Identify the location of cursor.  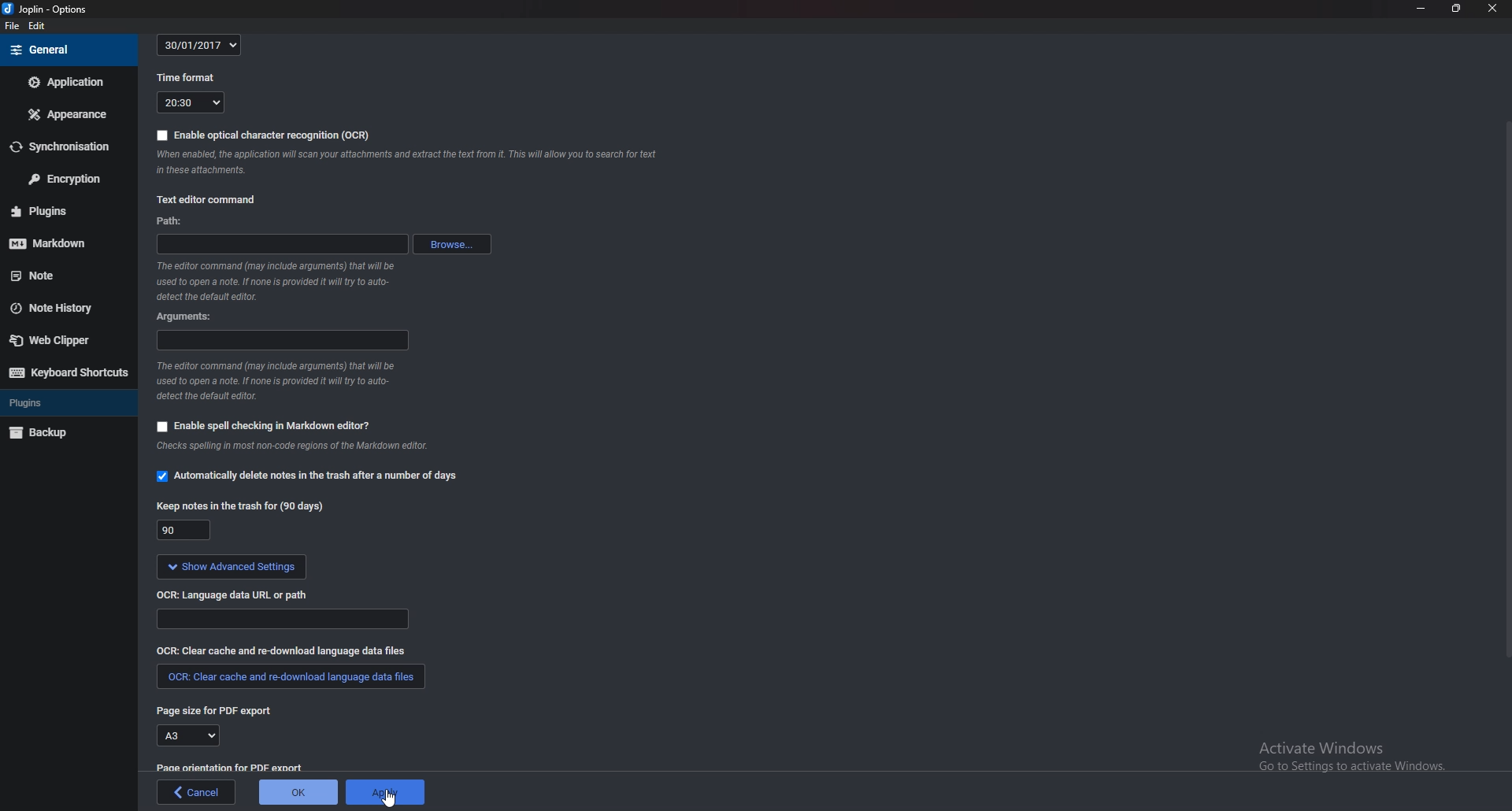
(390, 798).